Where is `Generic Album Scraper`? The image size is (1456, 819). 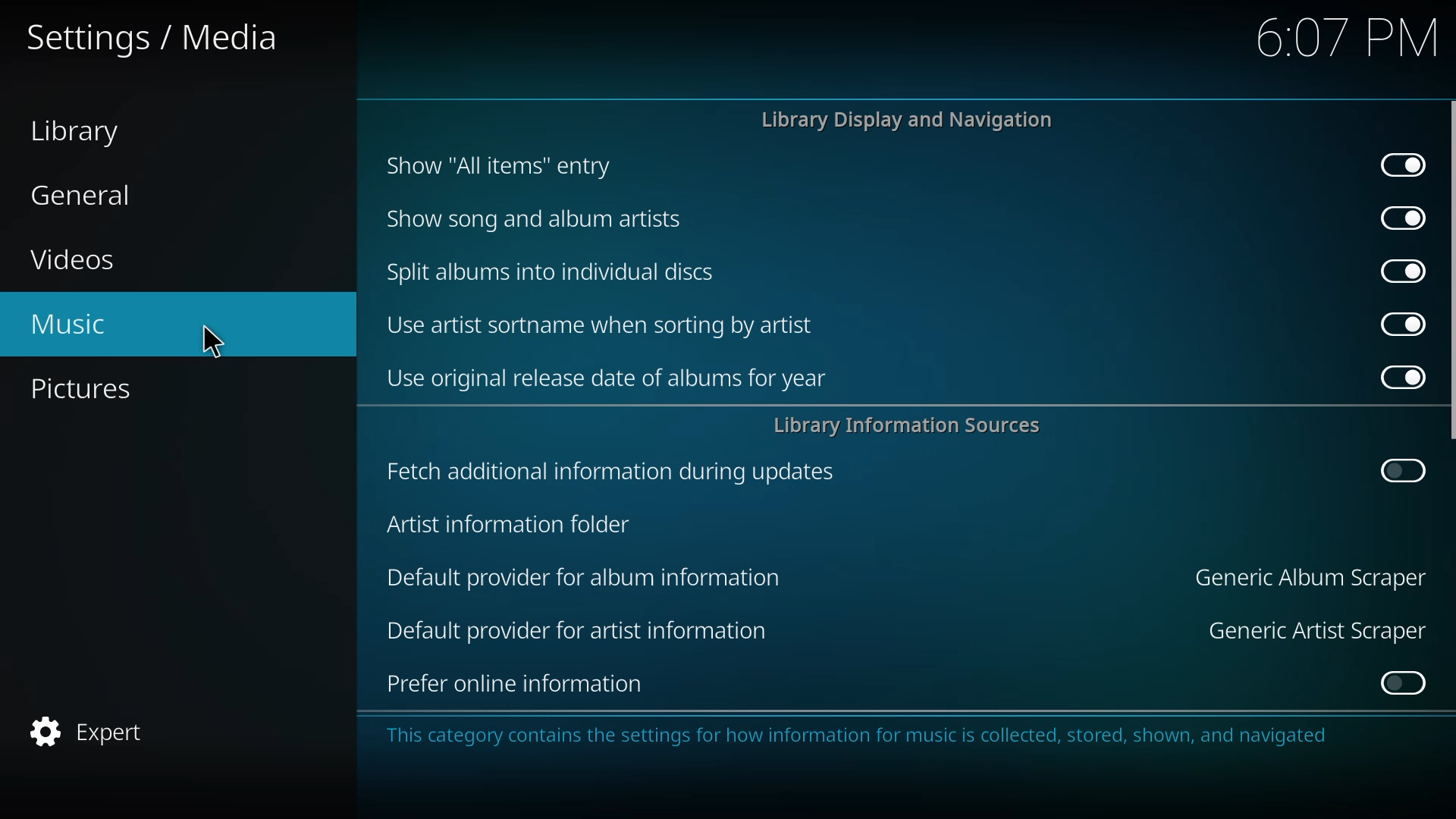
Generic Album Scraper is located at coordinates (1300, 578).